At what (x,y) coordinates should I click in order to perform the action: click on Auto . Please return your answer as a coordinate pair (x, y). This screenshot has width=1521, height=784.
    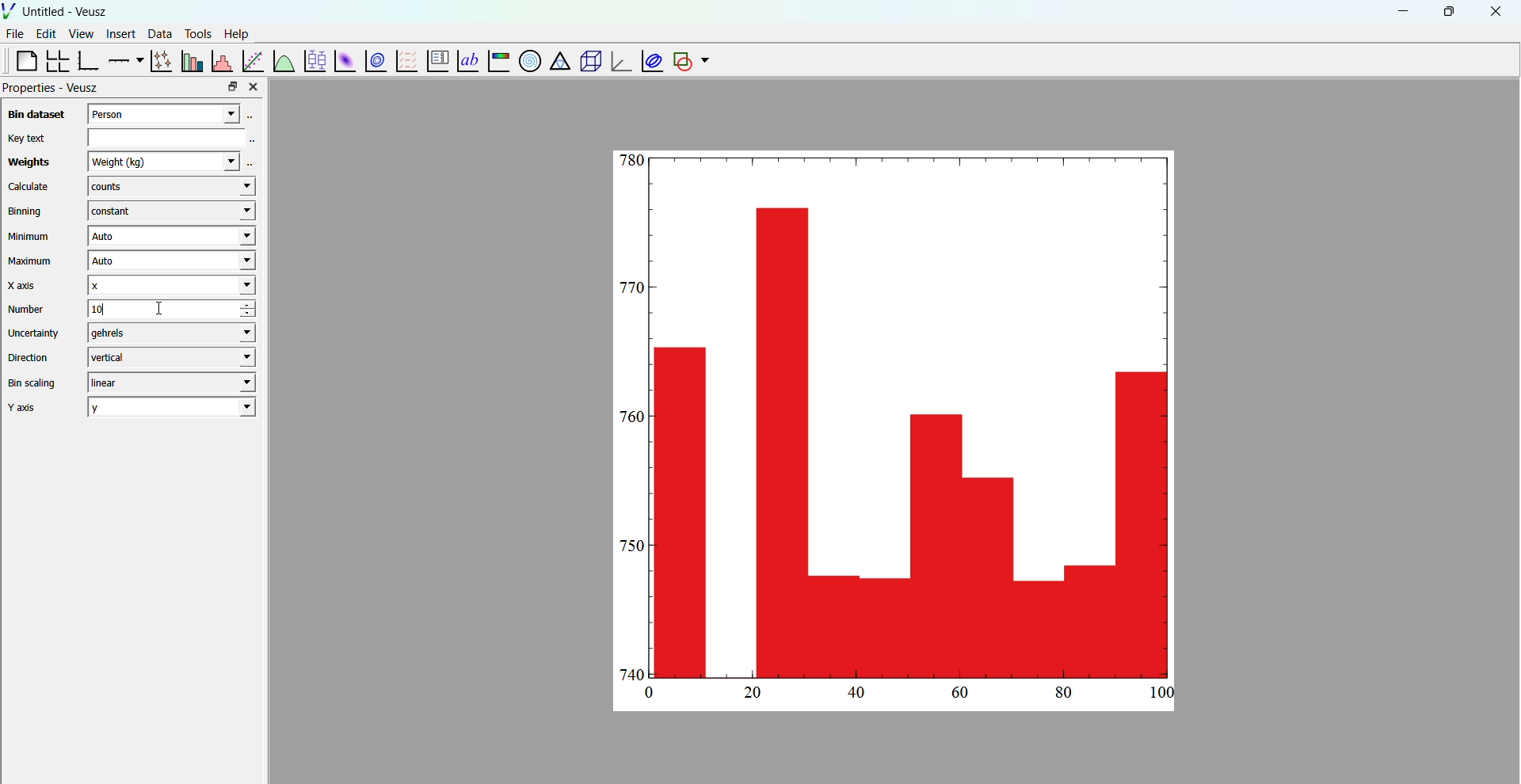
    Looking at the image, I should click on (169, 262).